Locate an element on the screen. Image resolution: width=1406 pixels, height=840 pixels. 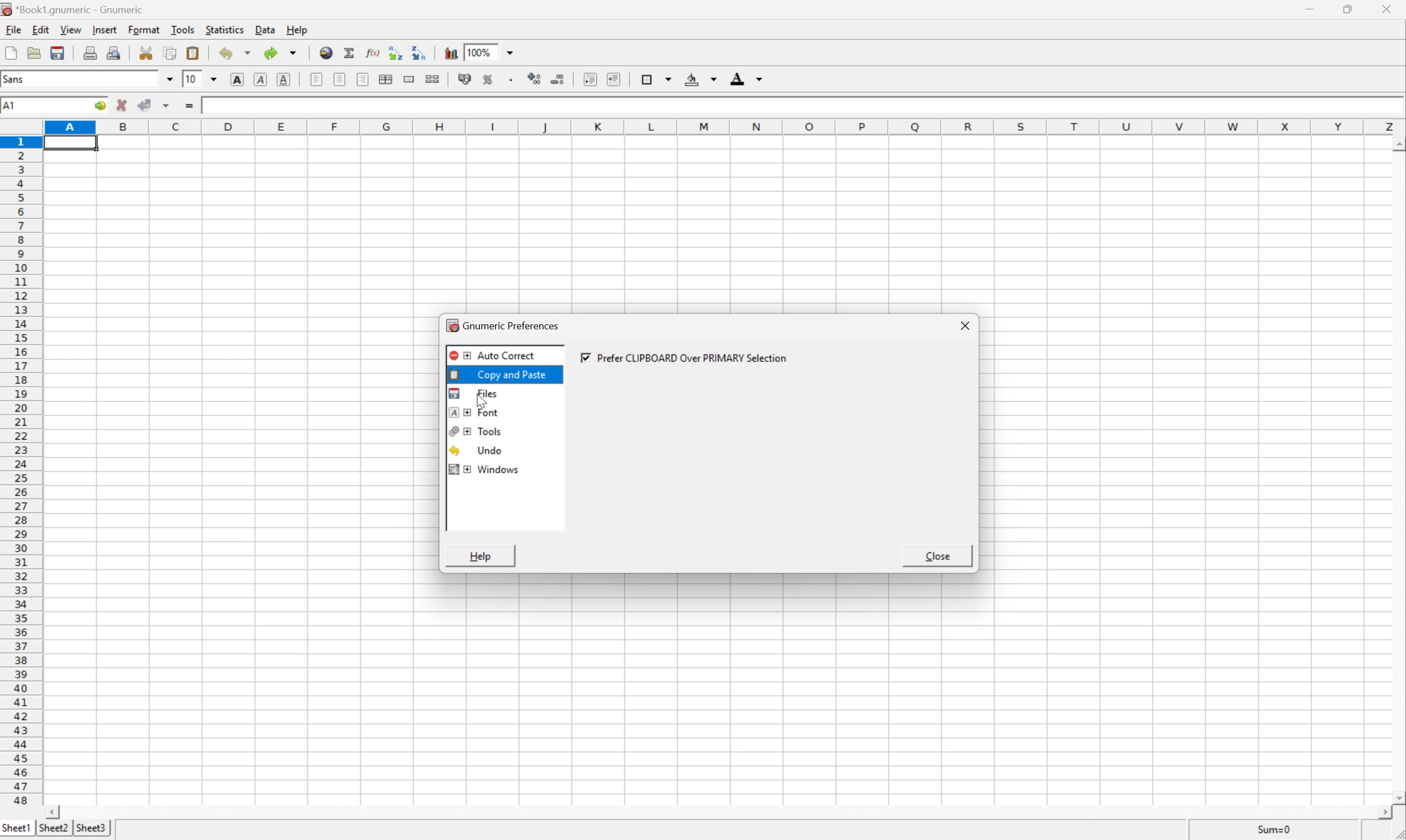
gnumeric preferences is located at coordinates (507, 327).